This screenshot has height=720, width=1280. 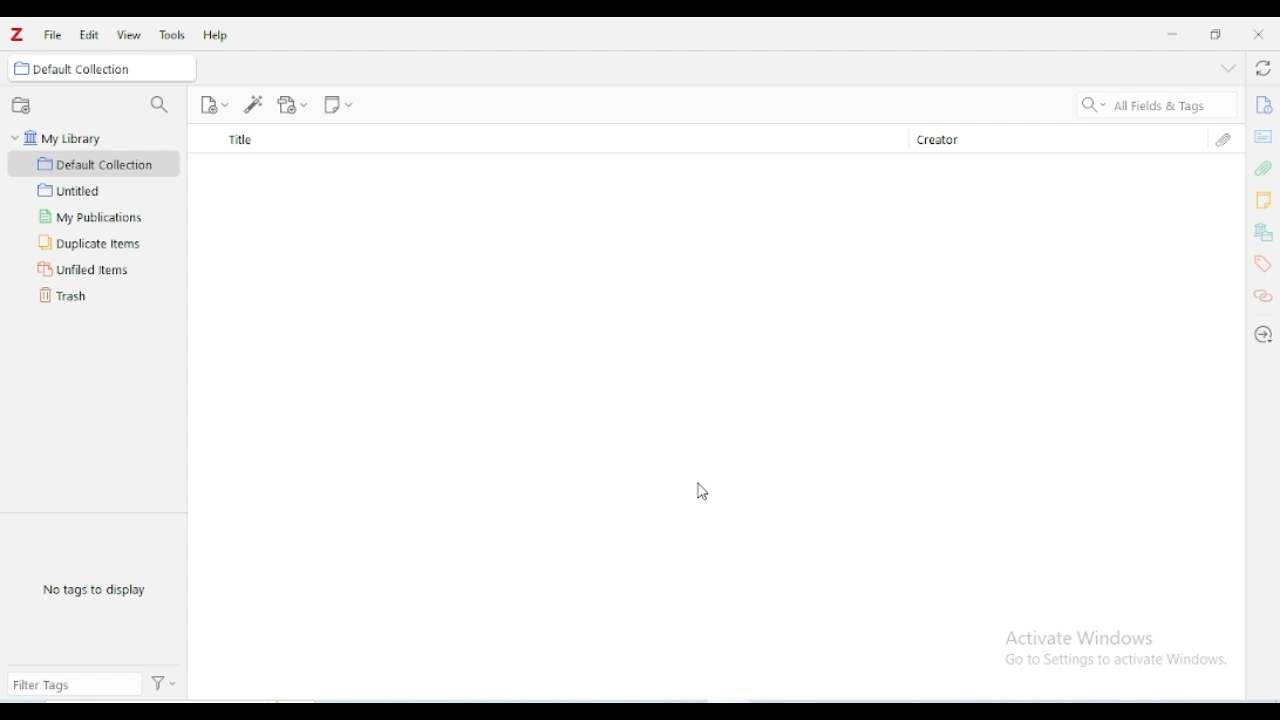 I want to click on my library, so click(x=94, y=138).